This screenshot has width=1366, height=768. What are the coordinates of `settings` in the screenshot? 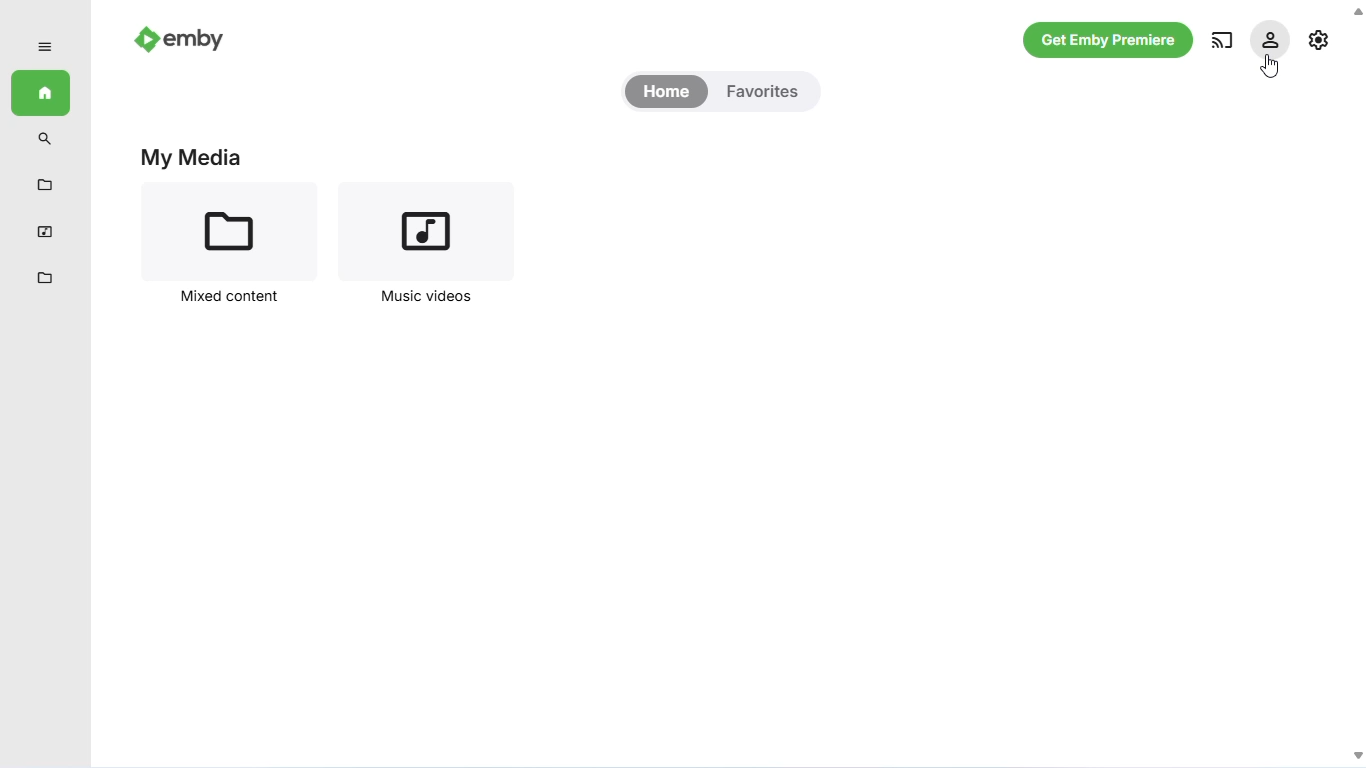 It's located at (1269, 39).